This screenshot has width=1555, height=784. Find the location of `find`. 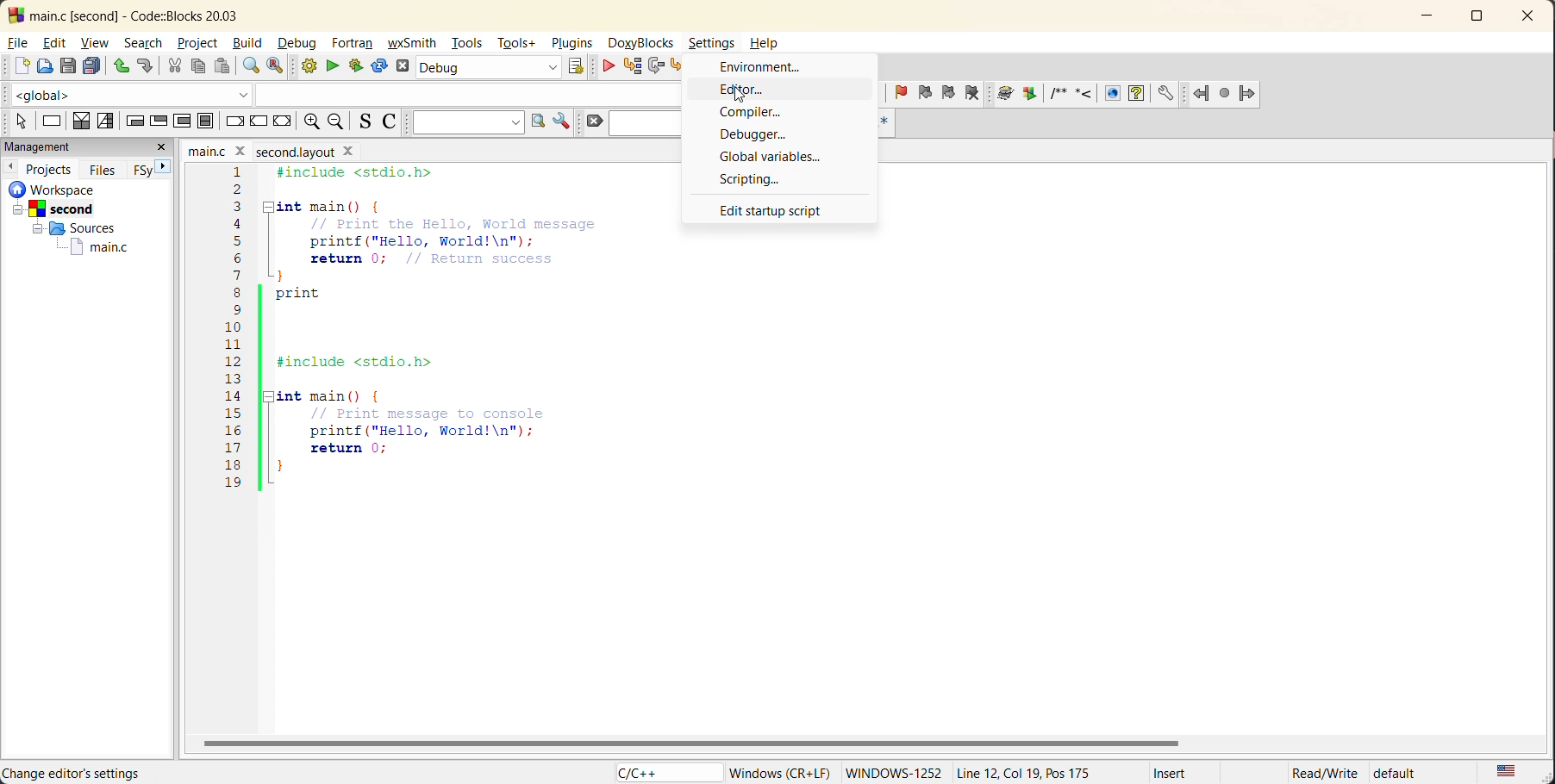

find is located at coordinates (251, 68).